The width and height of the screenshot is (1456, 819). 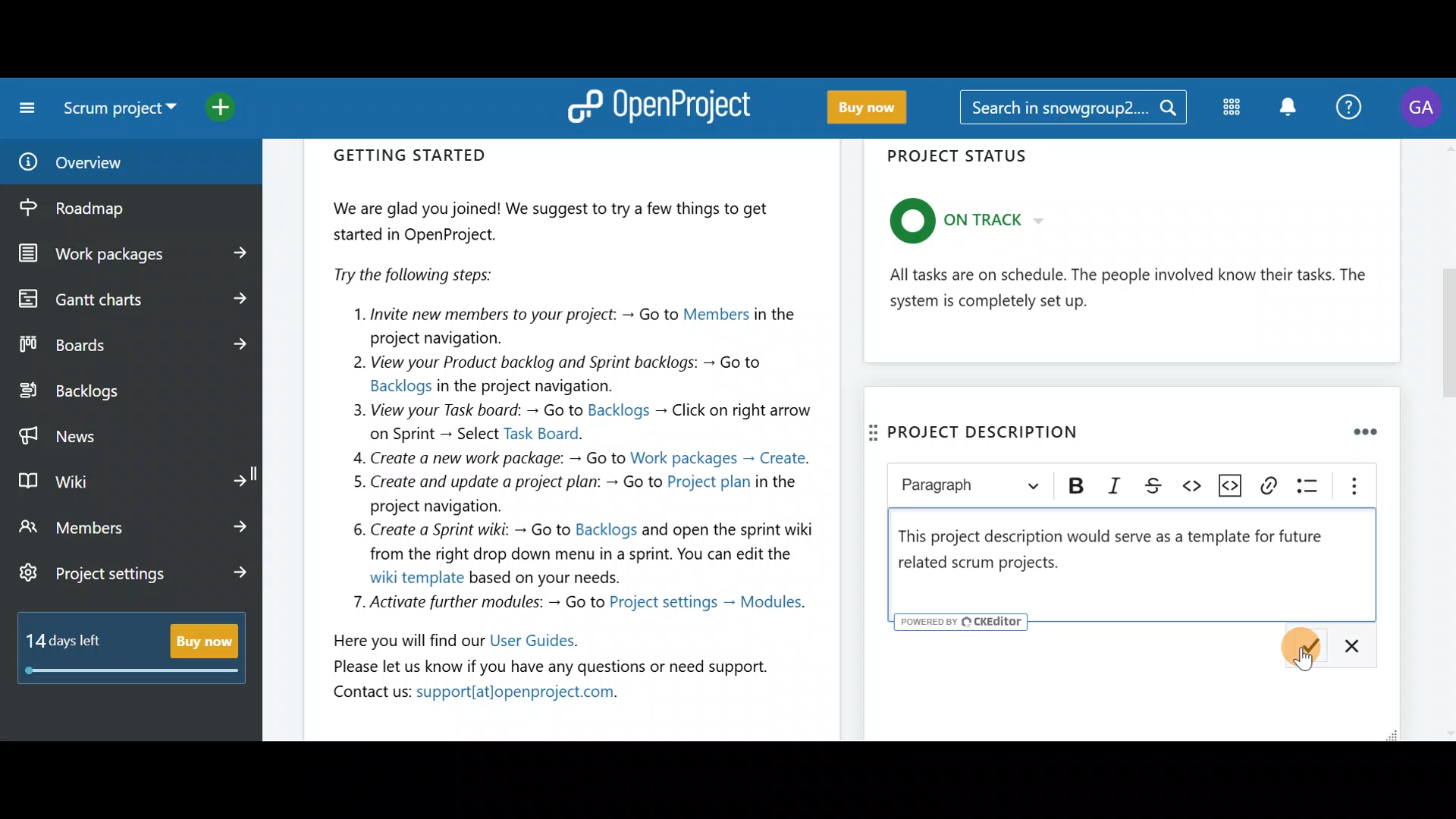 What do you see at coordinates (1072, 110) in the screenshot?
I see `Search bar` at bounding box center [1072, 110].